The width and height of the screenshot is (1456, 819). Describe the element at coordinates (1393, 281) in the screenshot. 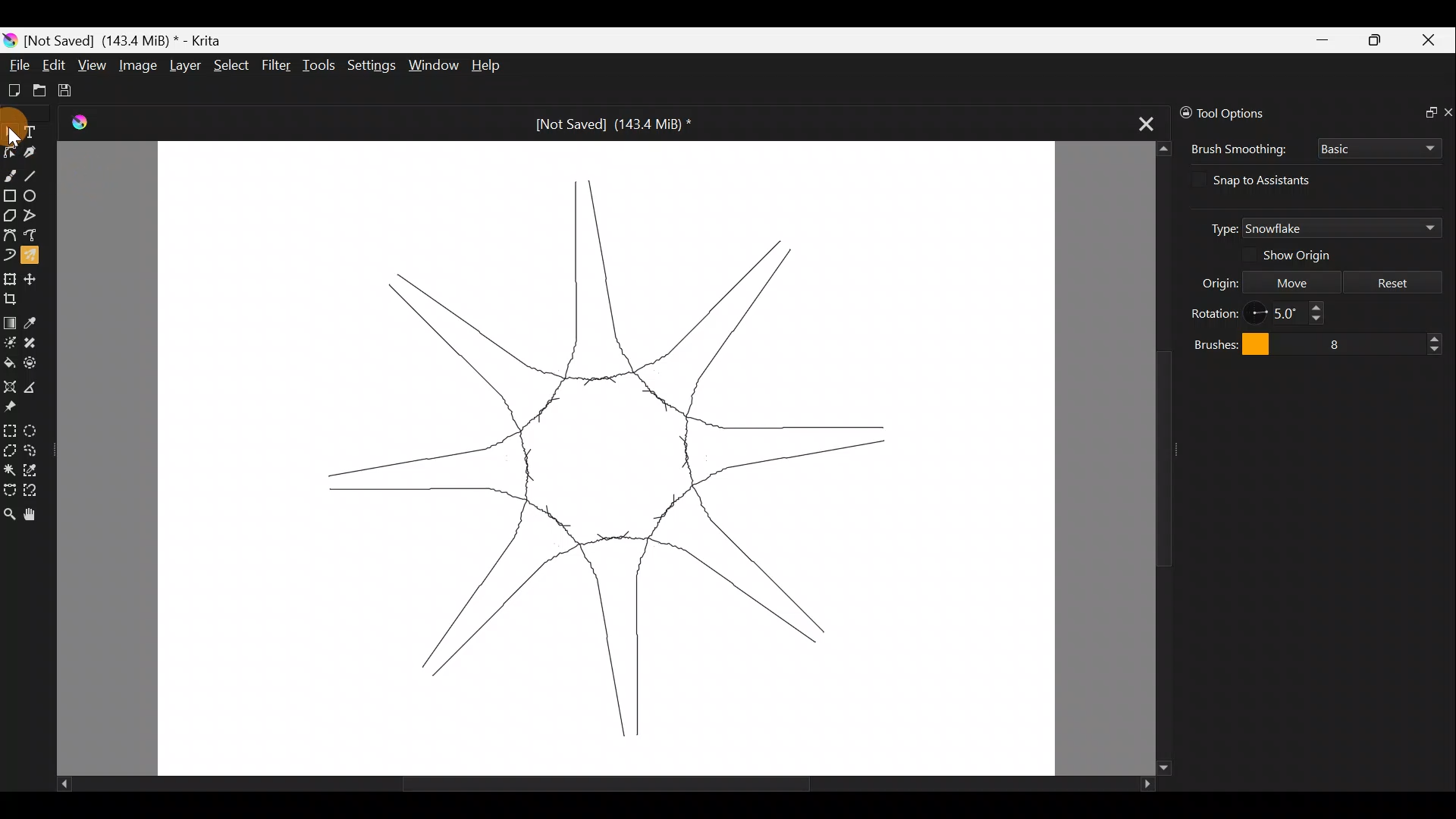

I see `Reset` at that location.